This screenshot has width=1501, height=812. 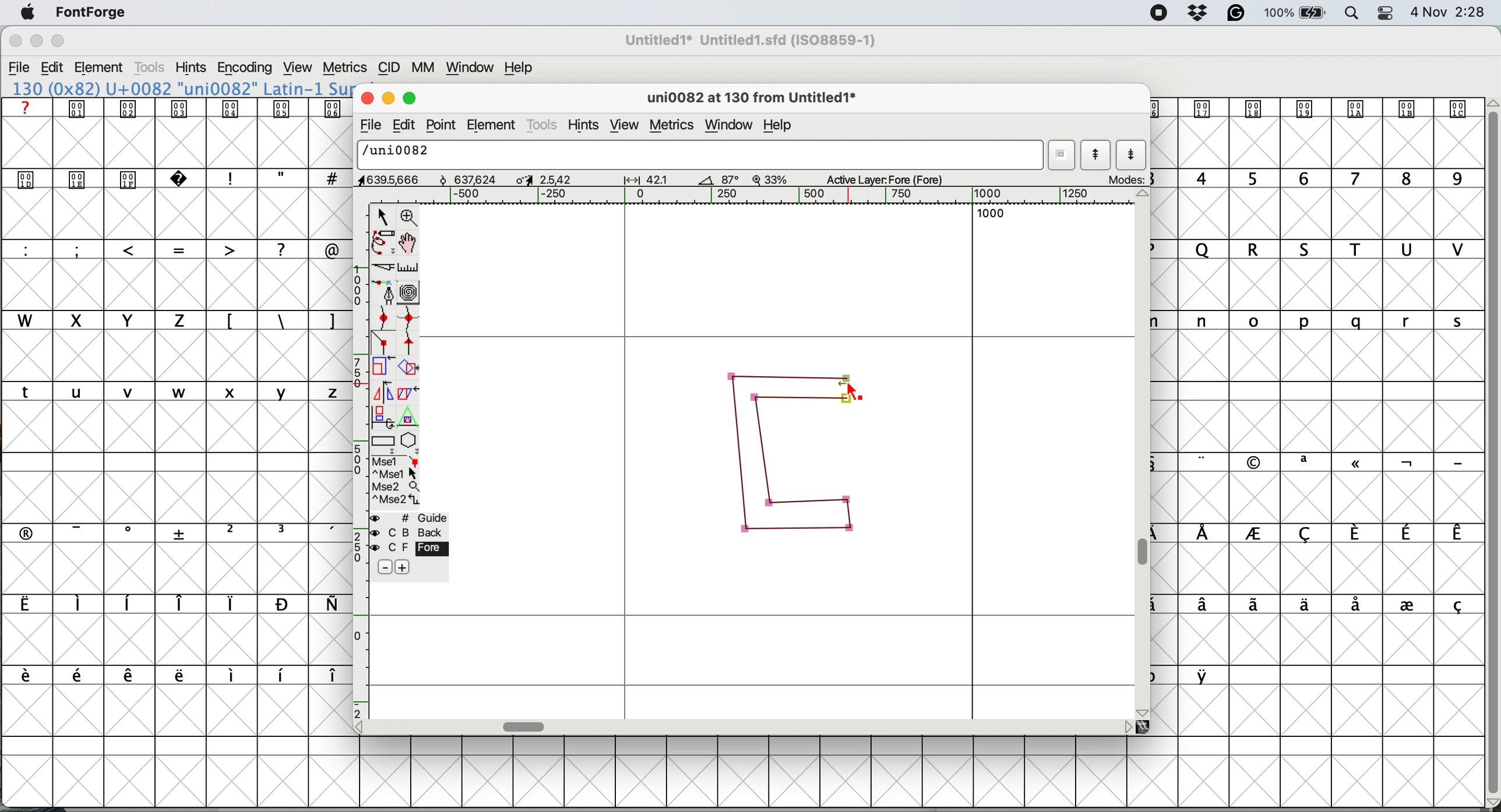 What do you see at coordinates (896, 178) in the screenshot?
I see `active layer` at bounding box center [896, 178].